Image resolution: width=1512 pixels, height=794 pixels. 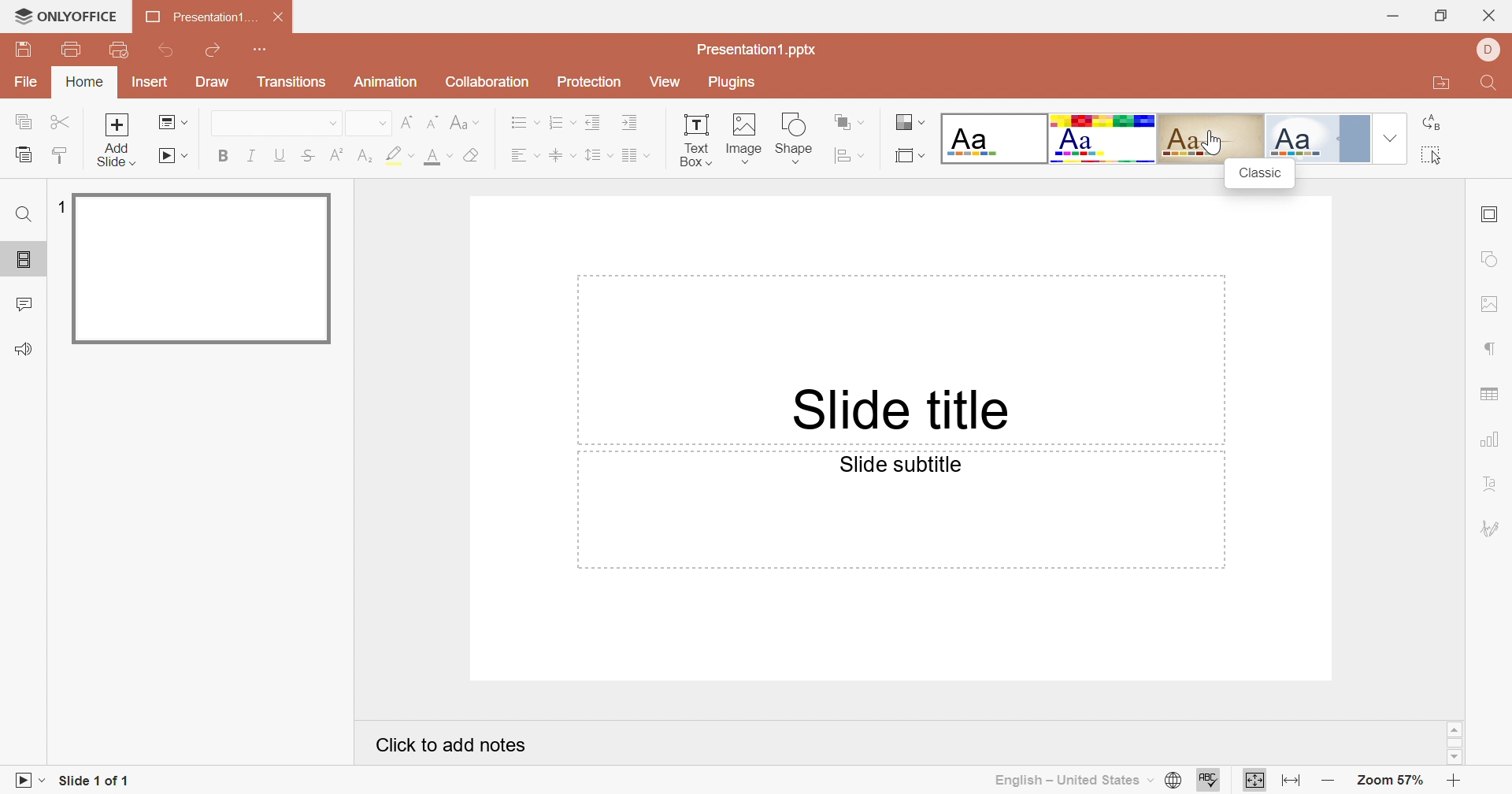 I want to click on Clear style, so click(x=473, y=154).